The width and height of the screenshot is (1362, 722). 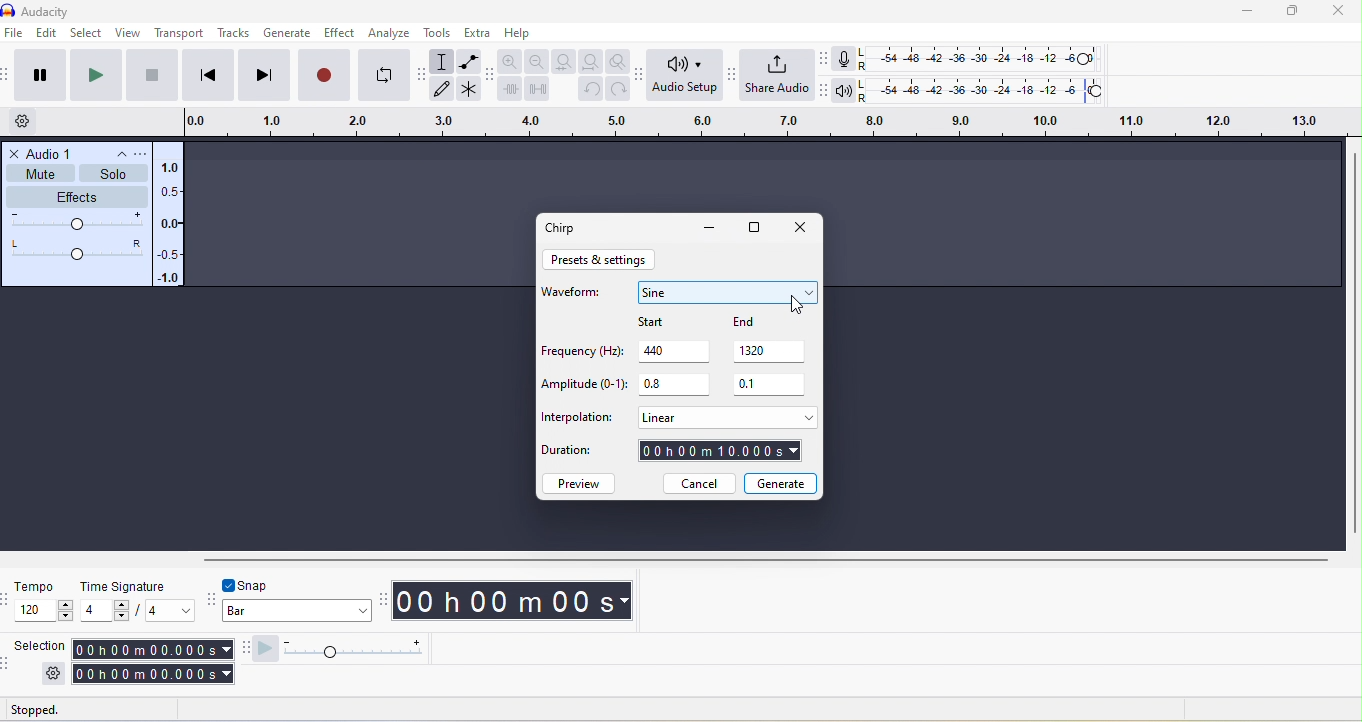 I want to click on bar, so click(x=298, y=613).